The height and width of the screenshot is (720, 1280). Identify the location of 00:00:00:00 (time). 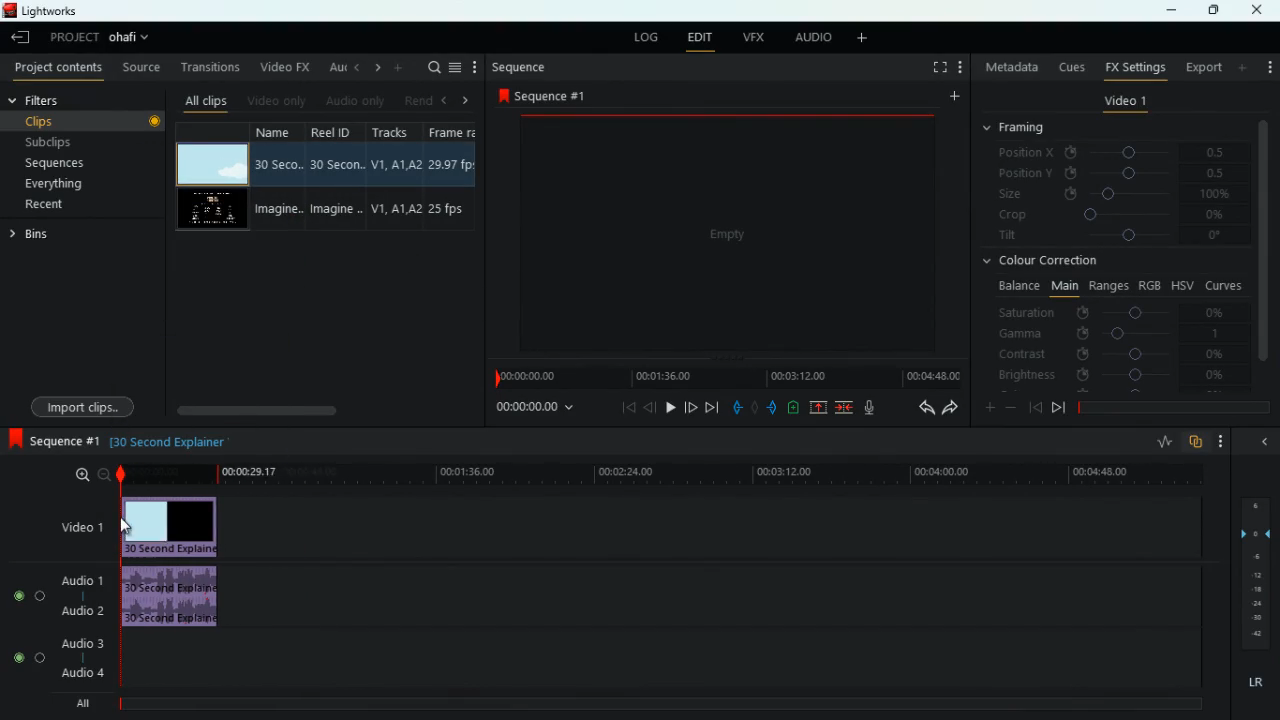
(538, 408).